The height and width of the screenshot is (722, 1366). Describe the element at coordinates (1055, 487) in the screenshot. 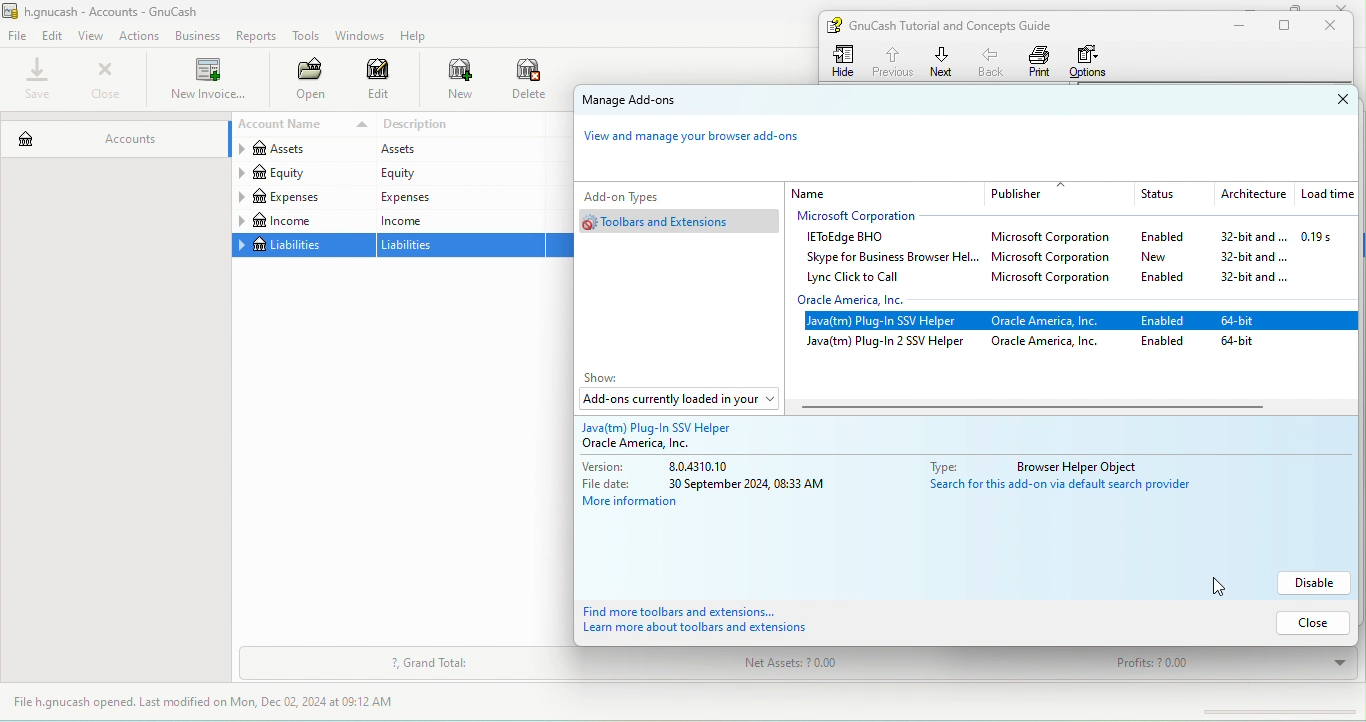

I see `` at that location.